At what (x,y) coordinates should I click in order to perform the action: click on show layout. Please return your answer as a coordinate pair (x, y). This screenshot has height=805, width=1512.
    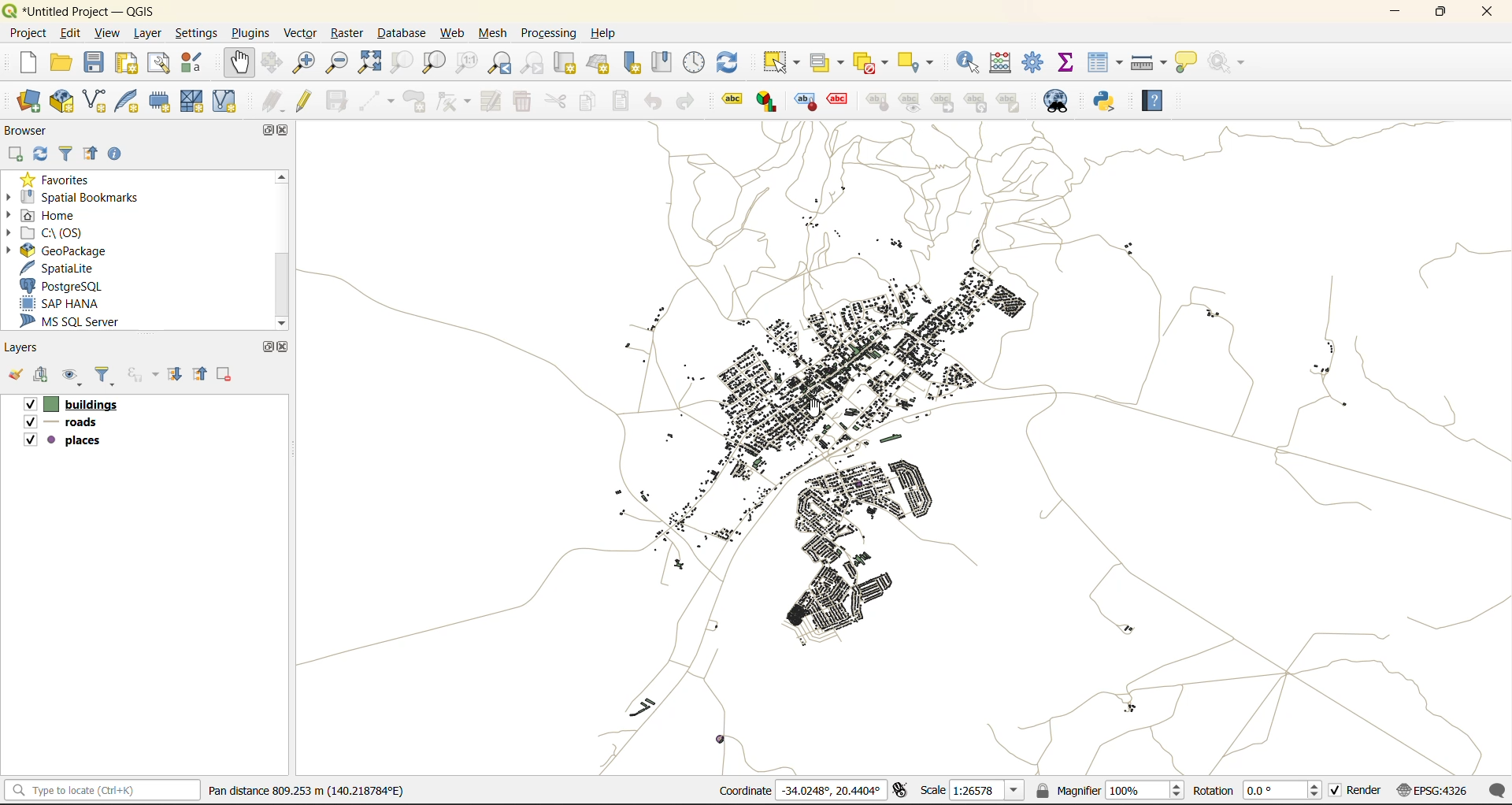
    Looking at the image, I should click on (161, 64).